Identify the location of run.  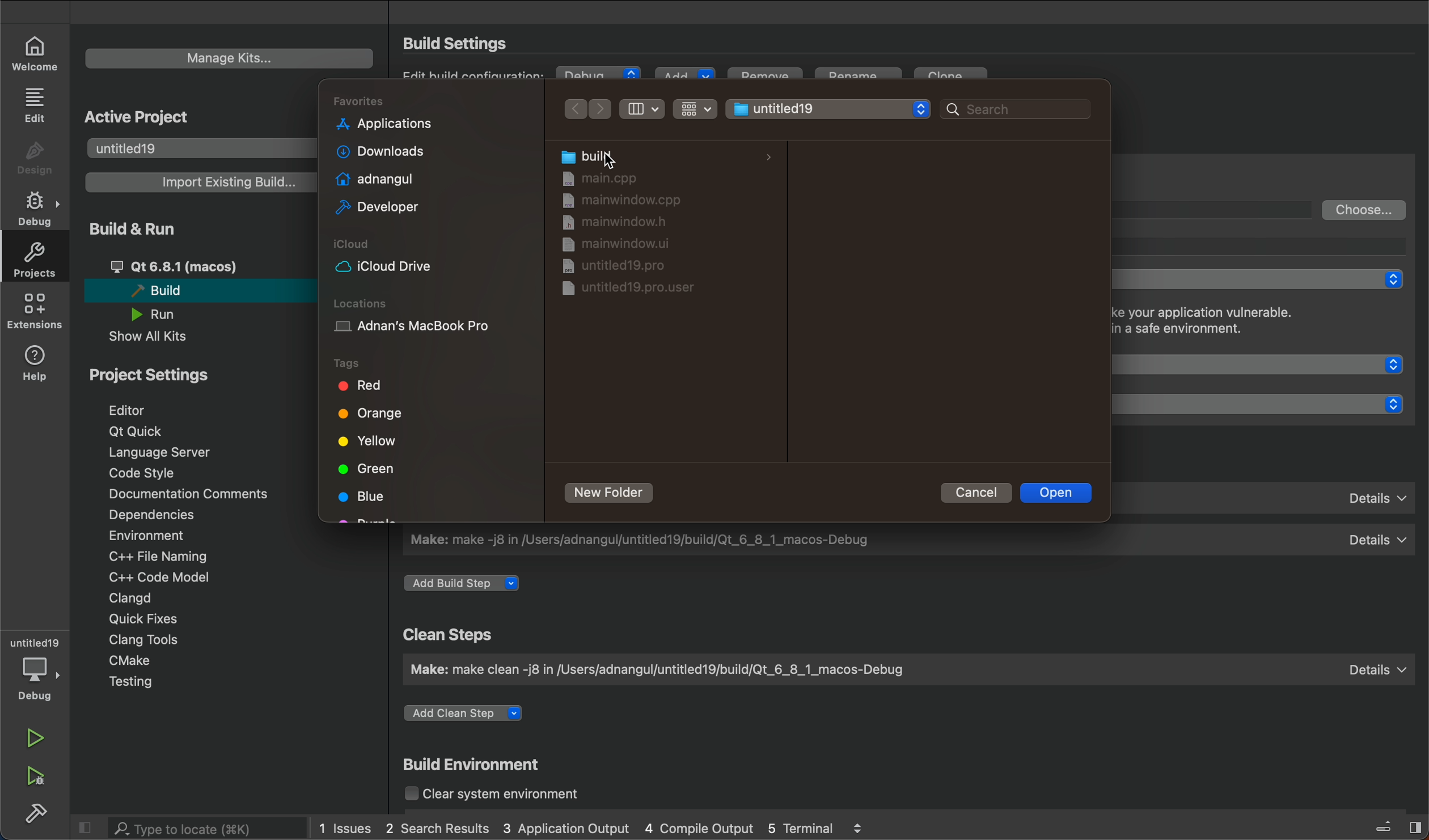
(38, 739).